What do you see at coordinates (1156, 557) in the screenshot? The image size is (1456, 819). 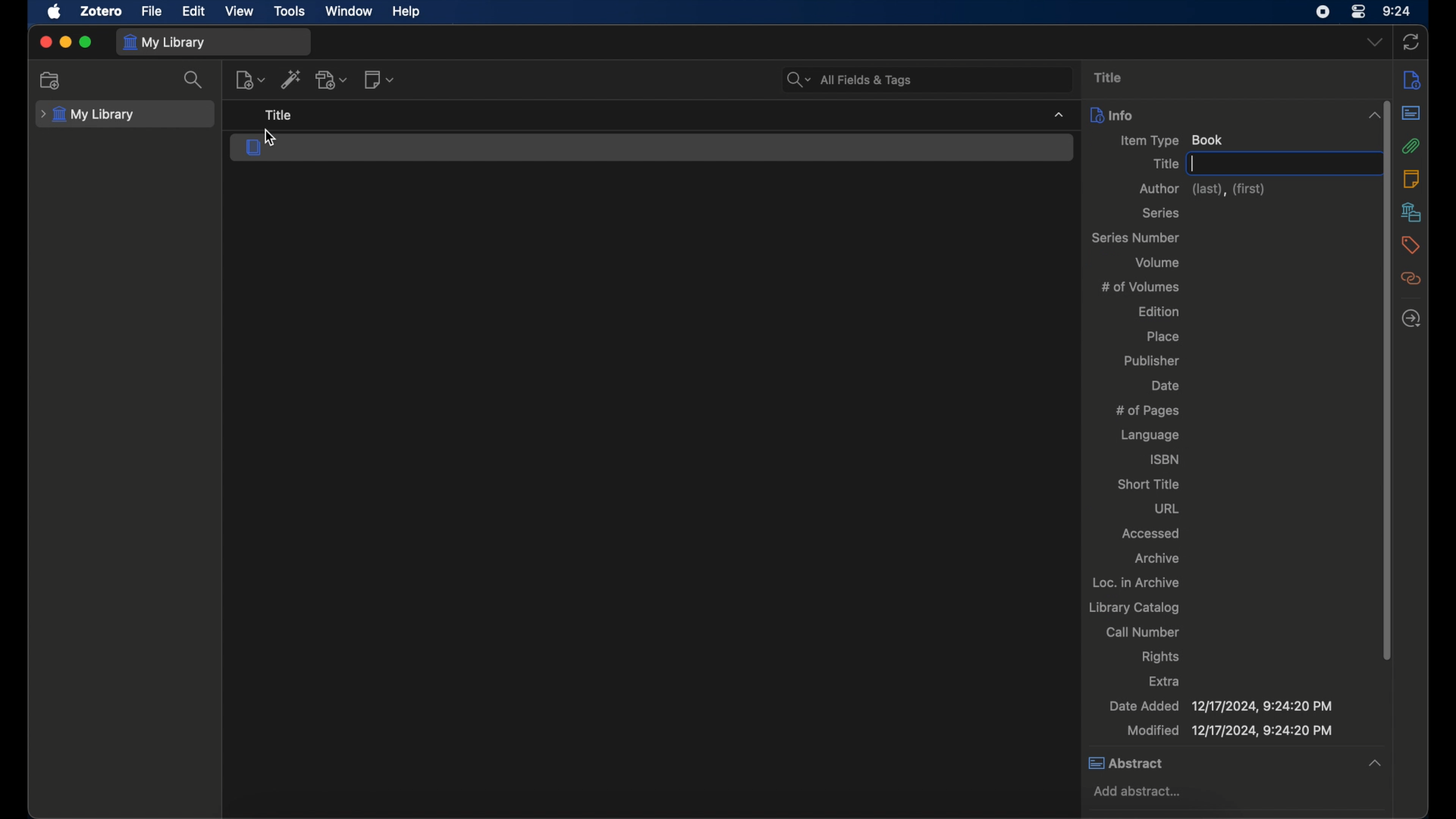 I see `archive` at bounding box center [1156, 557].